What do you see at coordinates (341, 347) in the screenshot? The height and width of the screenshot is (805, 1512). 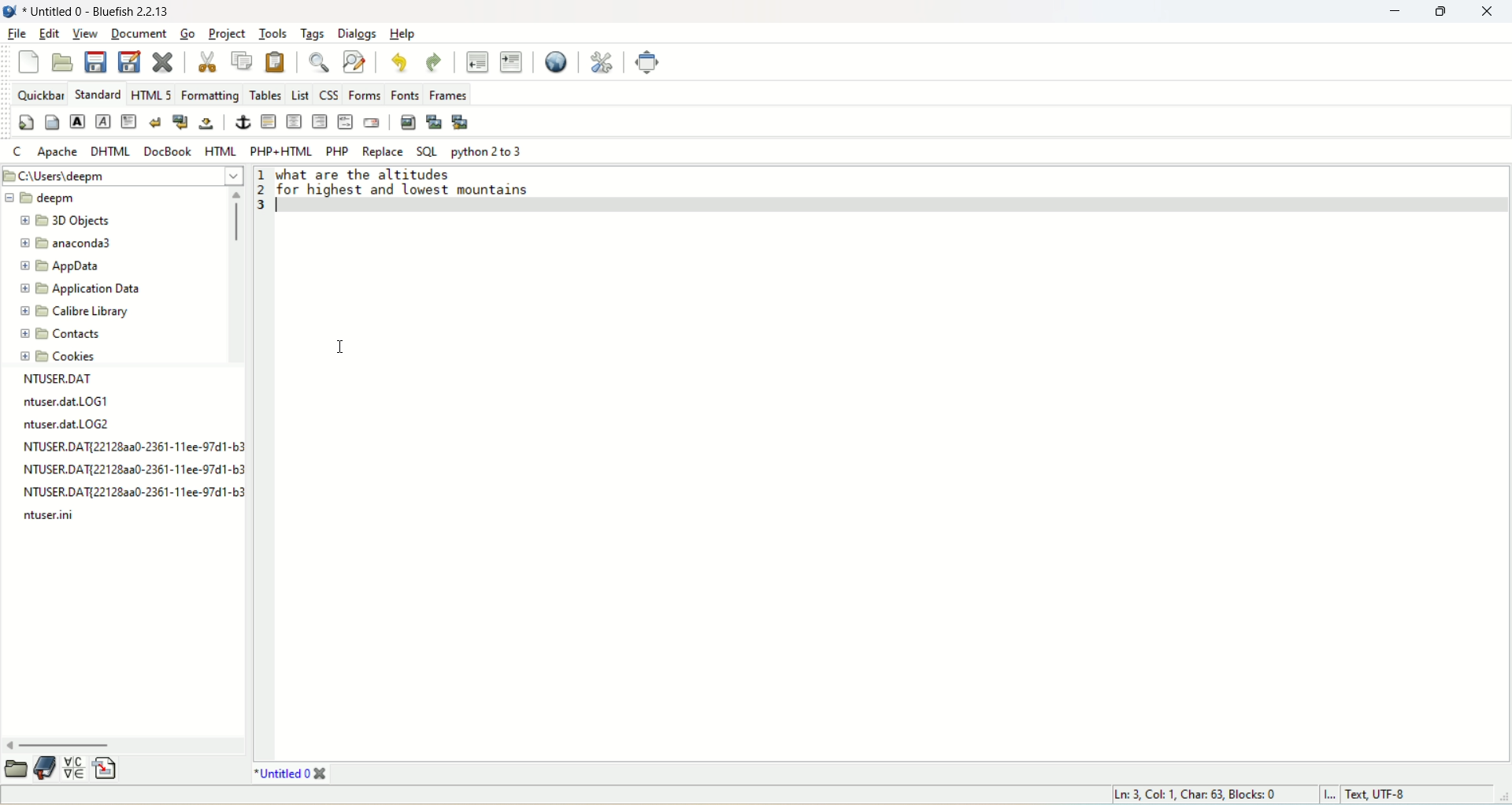 I see `Cursor` at bounding box center [341, 347].